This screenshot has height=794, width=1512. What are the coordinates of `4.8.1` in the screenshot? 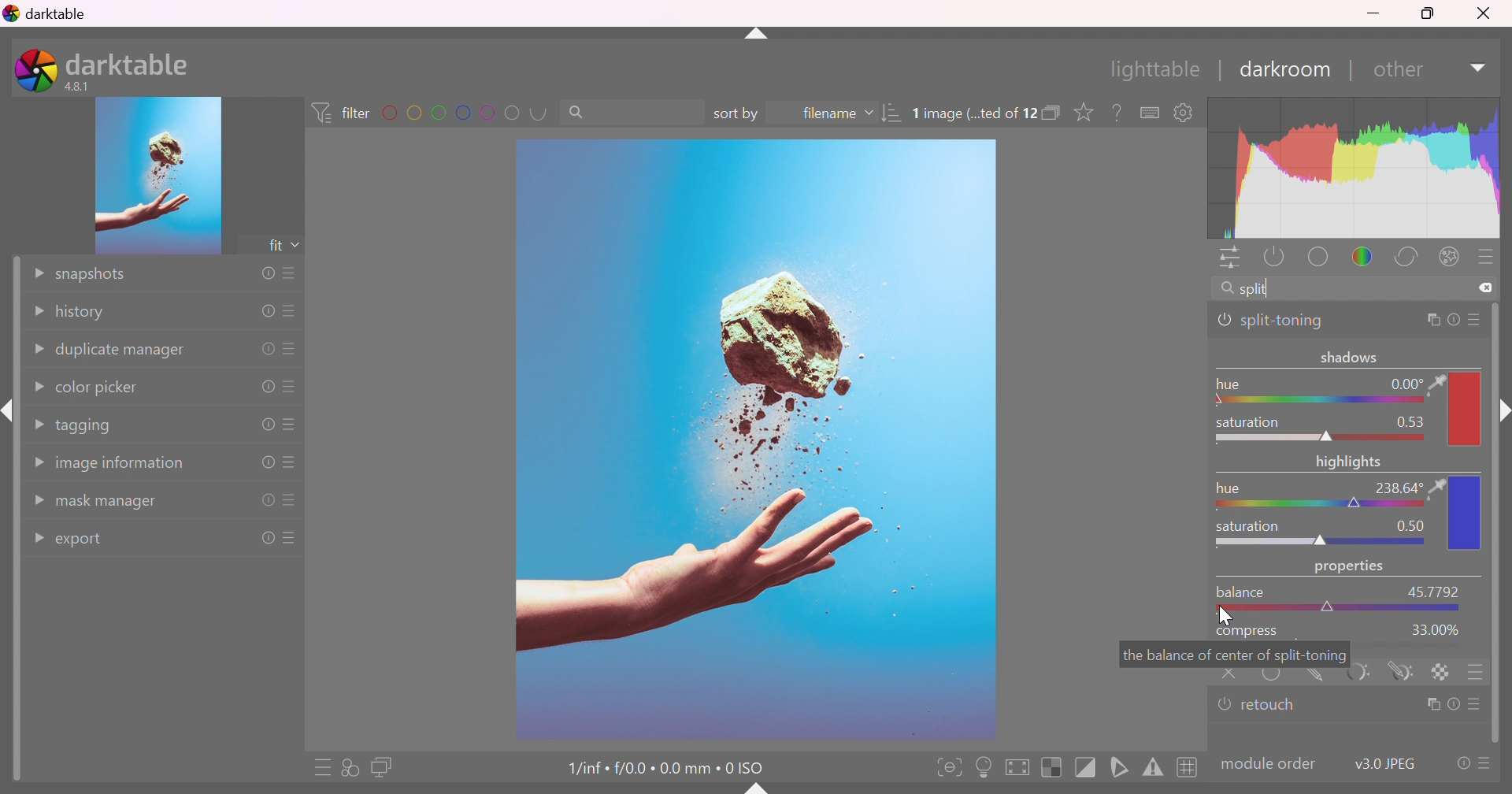 It's located at (82, 86).